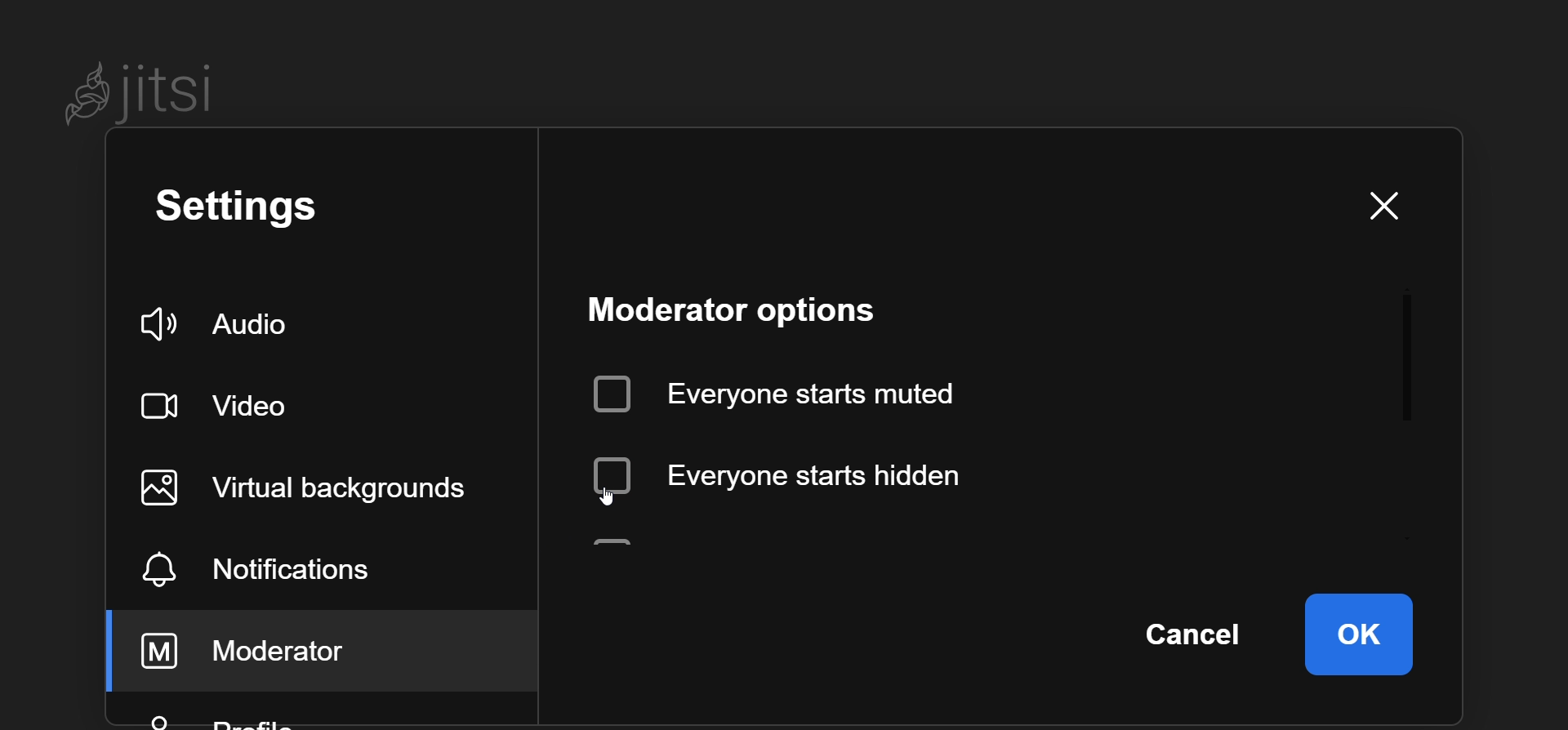 This screenshot has width=1568, height=730. Describe the element at coordinates (261, 649) in the screenshot. I see `moderator` at that location.